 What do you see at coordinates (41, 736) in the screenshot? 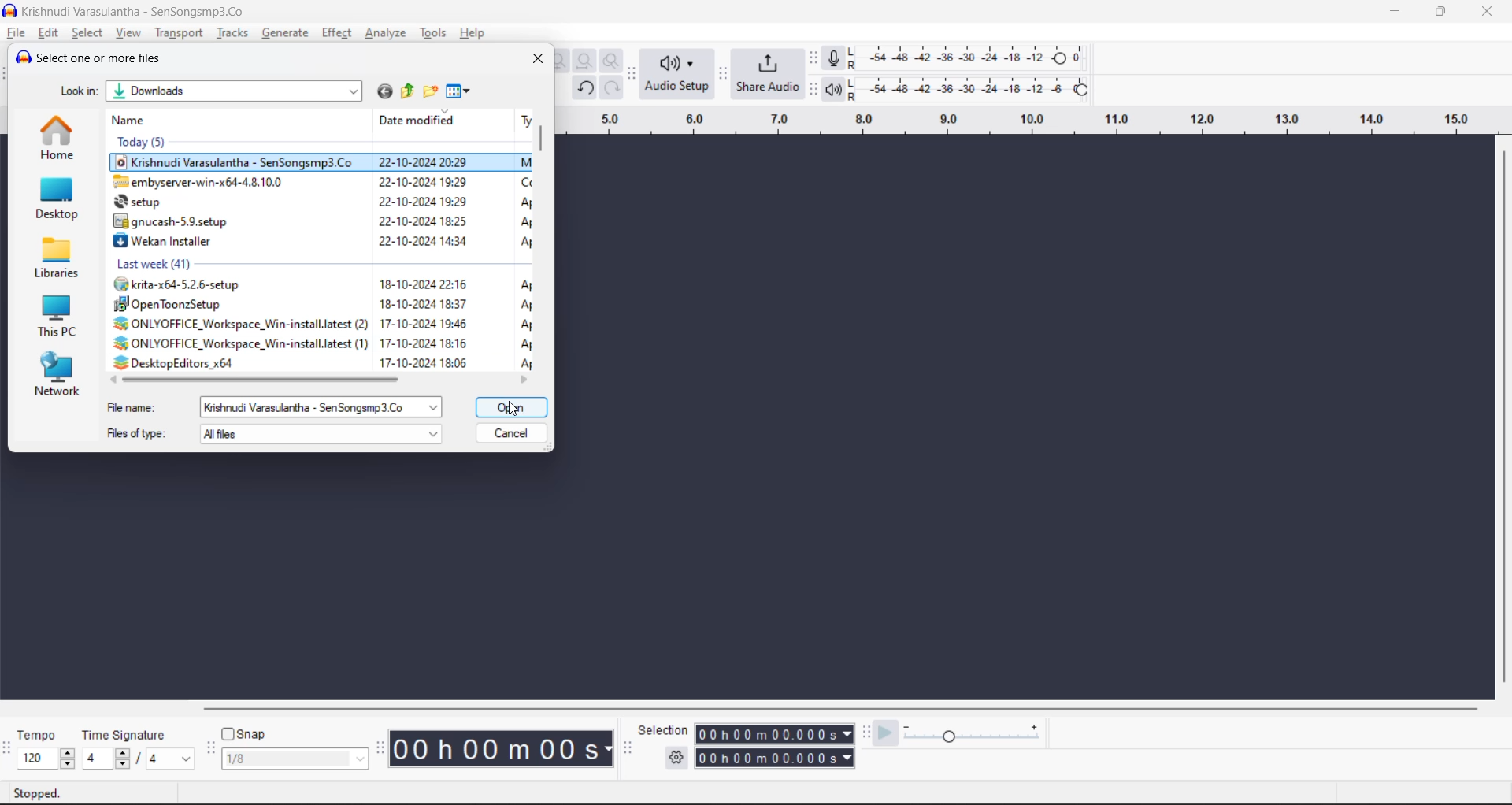
I see `tempo` at bounding box center [41, 736].